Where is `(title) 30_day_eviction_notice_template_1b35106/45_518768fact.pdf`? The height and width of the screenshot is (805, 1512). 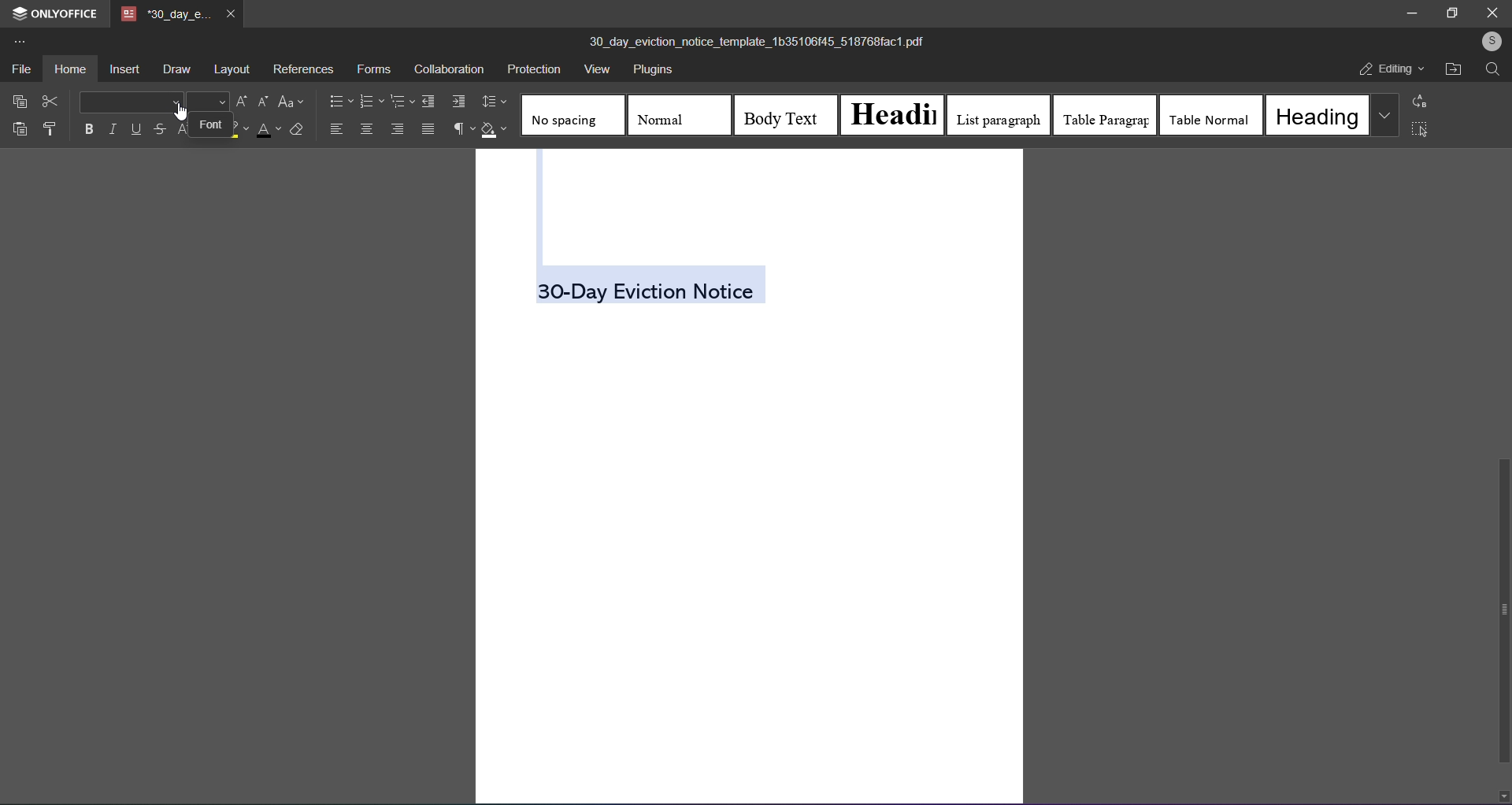 (title) 30_day_eviction_notice_template_1b35106/45_518768fact.pdf is located at coordinates (765, 42).